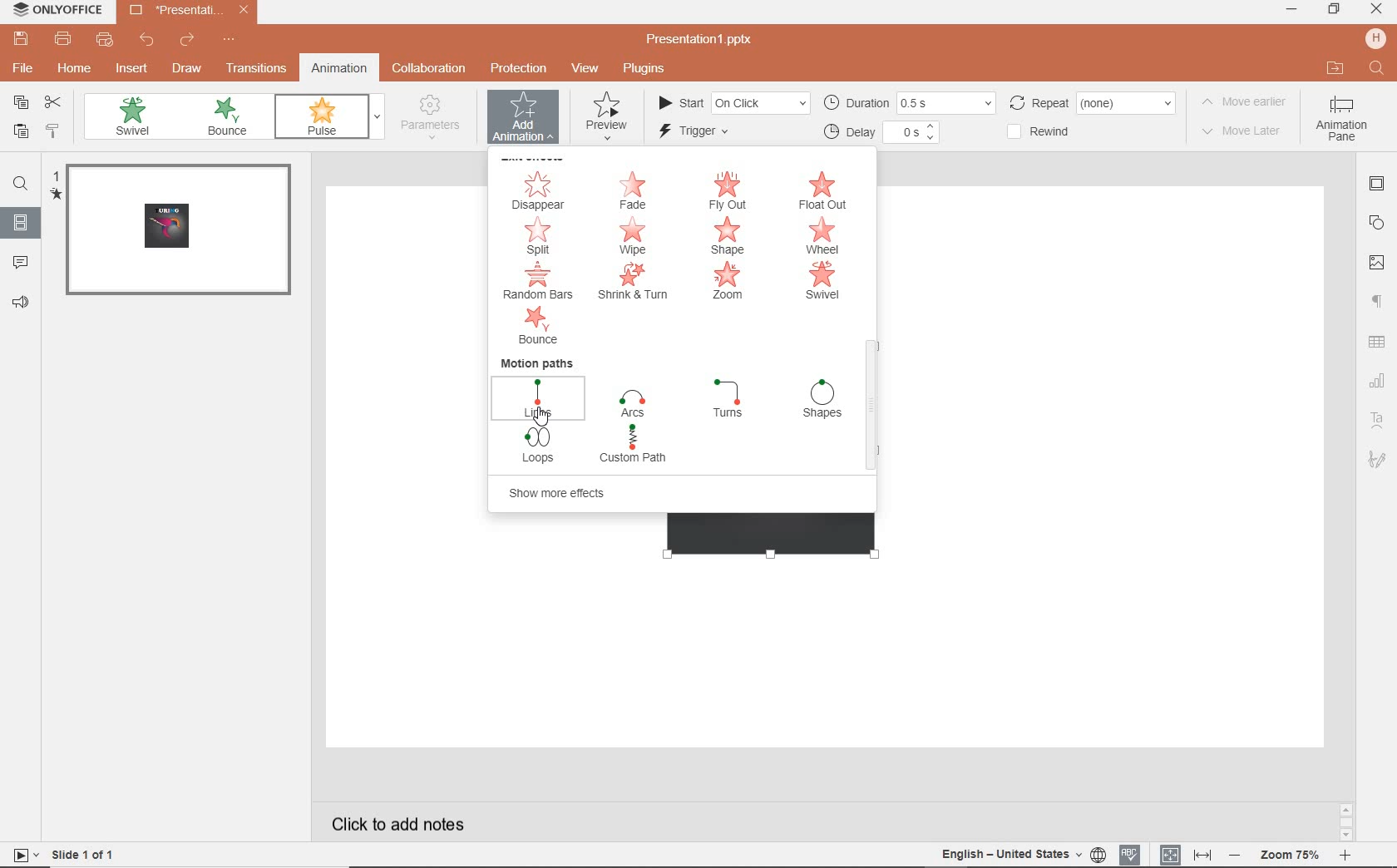 This screenshot has height=868, width=1397. Describe the element at coordinates (1377, 67) in the screenshot. I see `search` at that location.